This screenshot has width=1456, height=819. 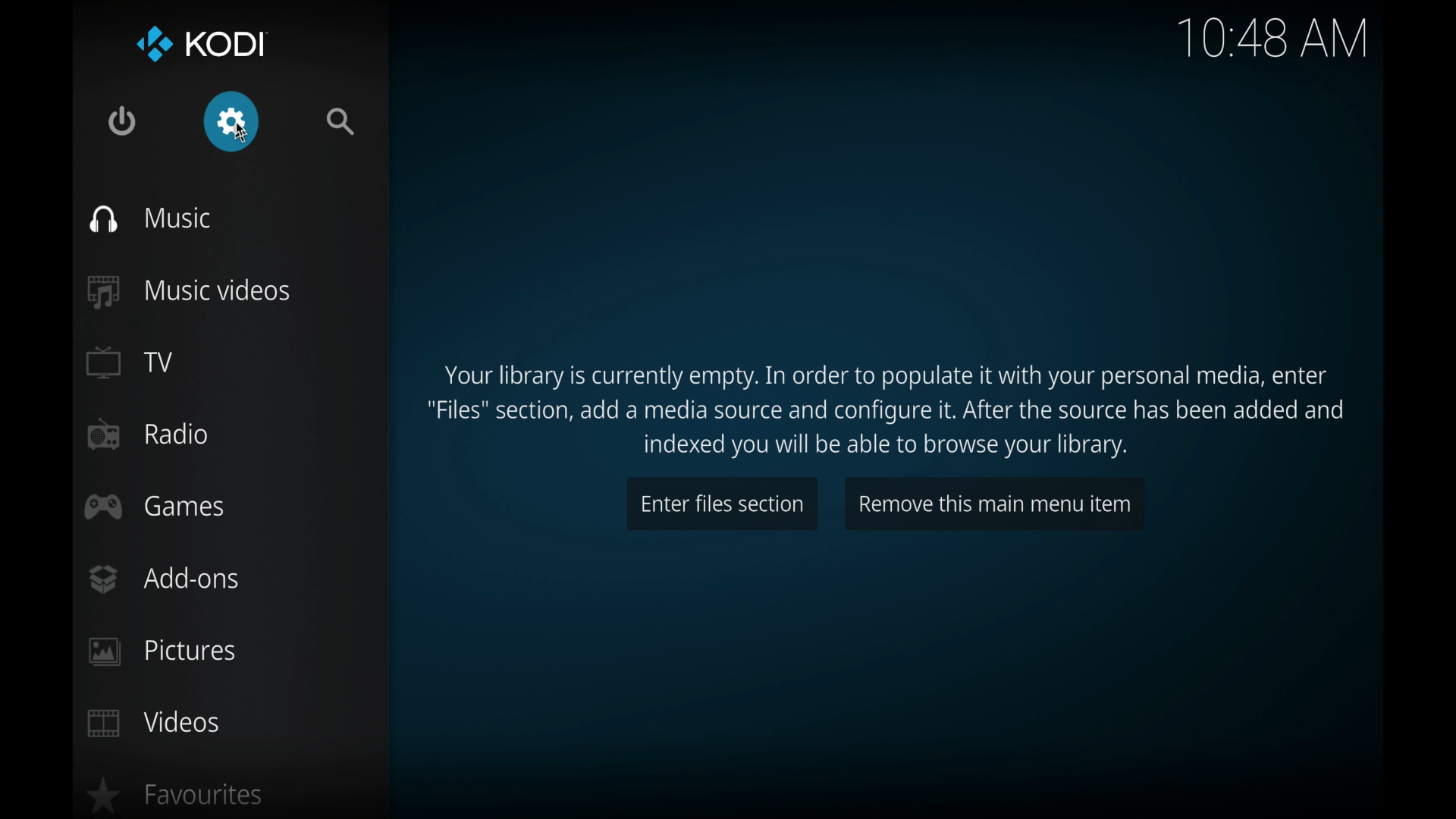 What do you see at coordinates (122, 121) in the screenshot?
I see `kodi quit` at bounding box center [122, 121].